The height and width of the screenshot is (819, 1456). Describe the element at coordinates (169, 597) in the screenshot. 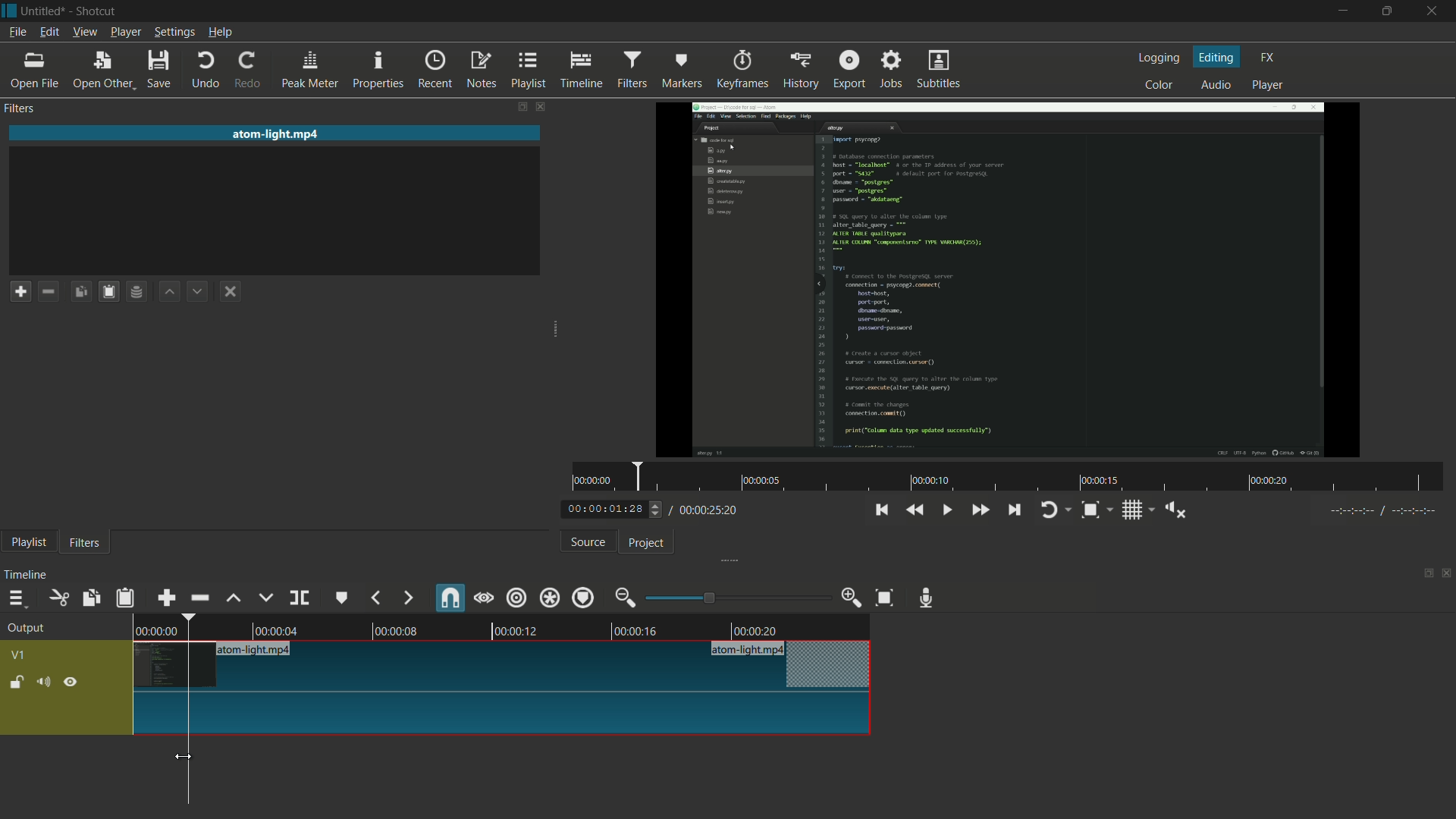

I see `append` at that location.